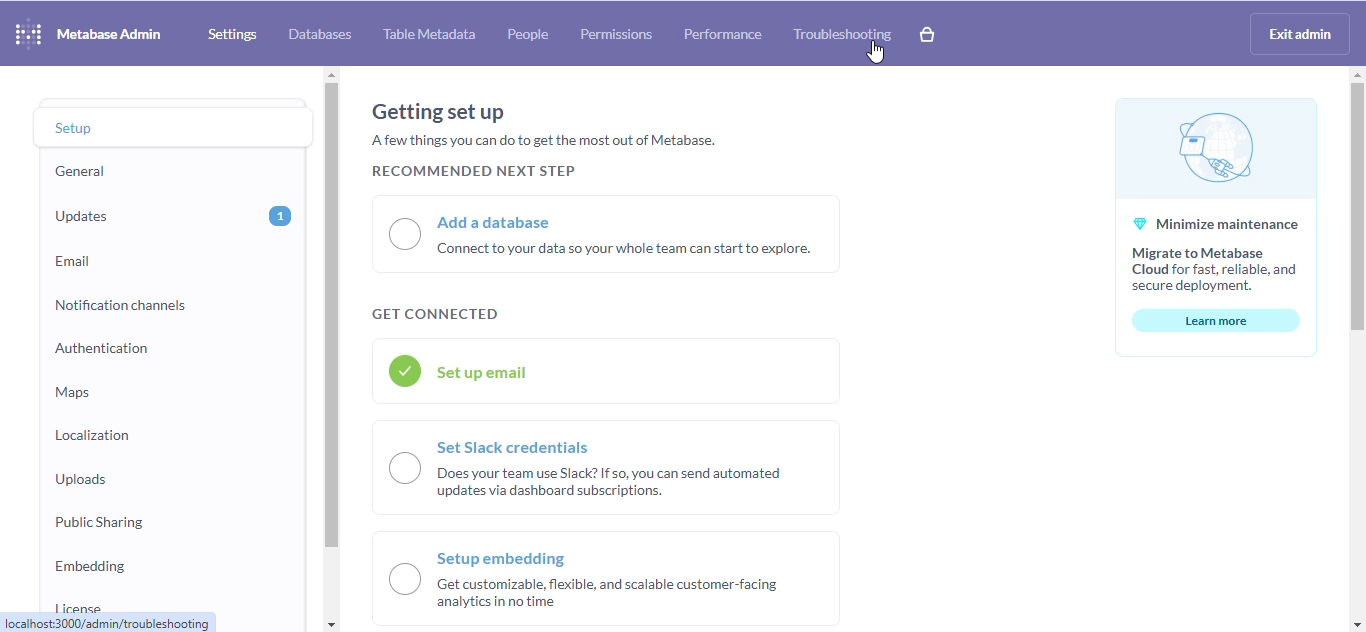 This screenshot has height=632, width=1366. I want to click on cursor, so click(876, 52).